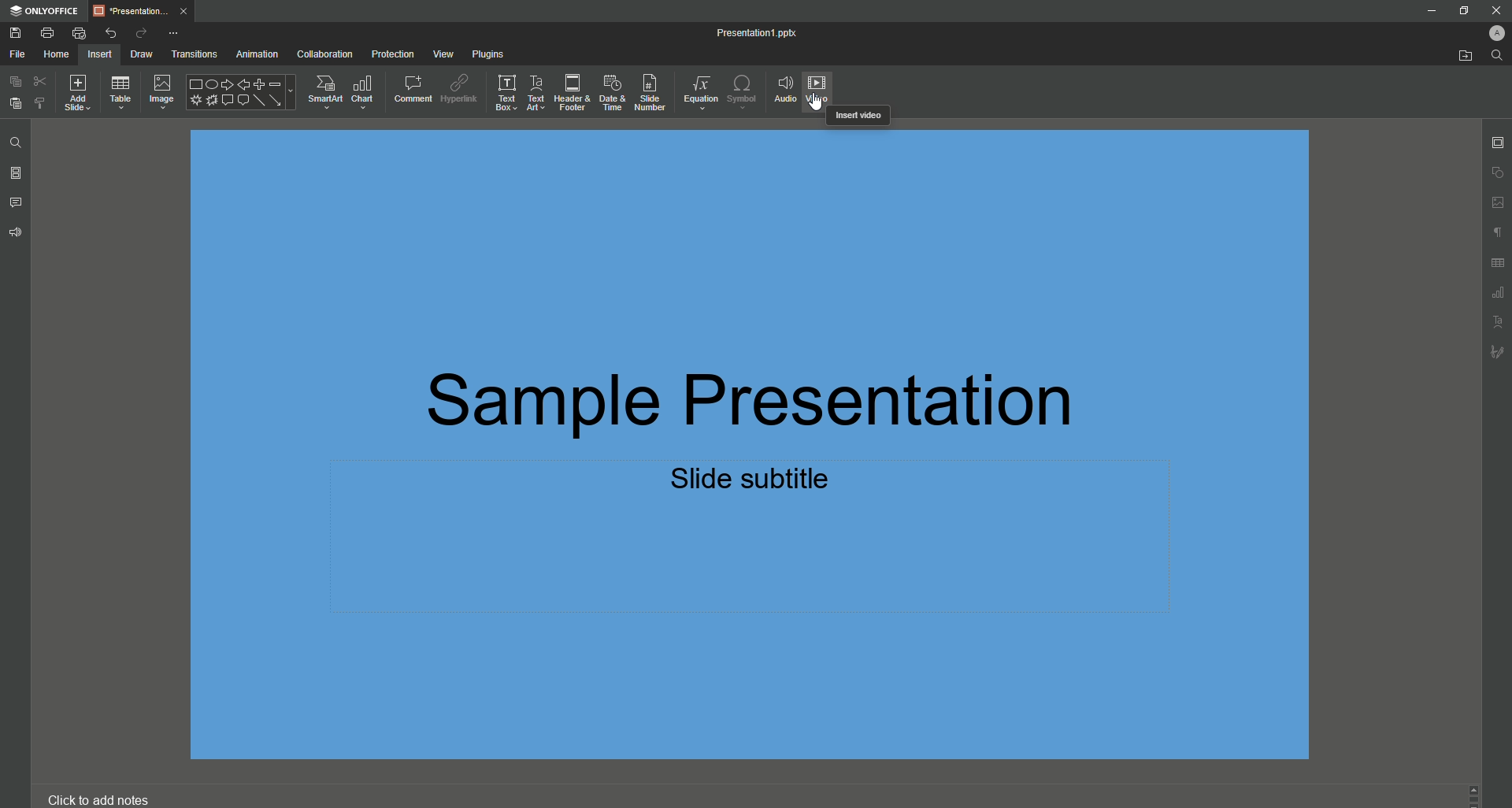 The height and width of the screenshot is (808, 1512). I want to click on Table settings, so click(1499, 263).